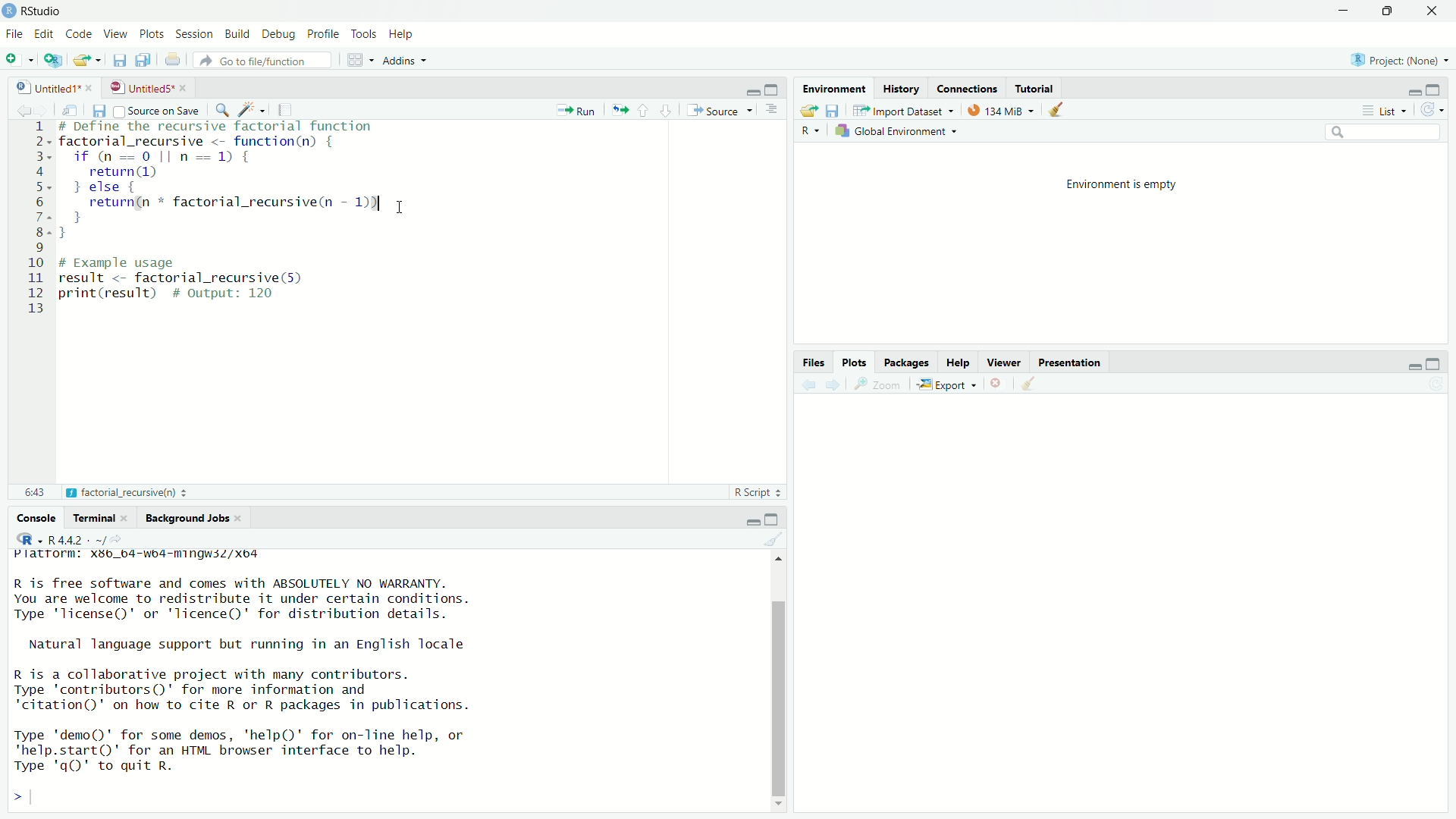  I want to click on Maximize, so click(773, 89).